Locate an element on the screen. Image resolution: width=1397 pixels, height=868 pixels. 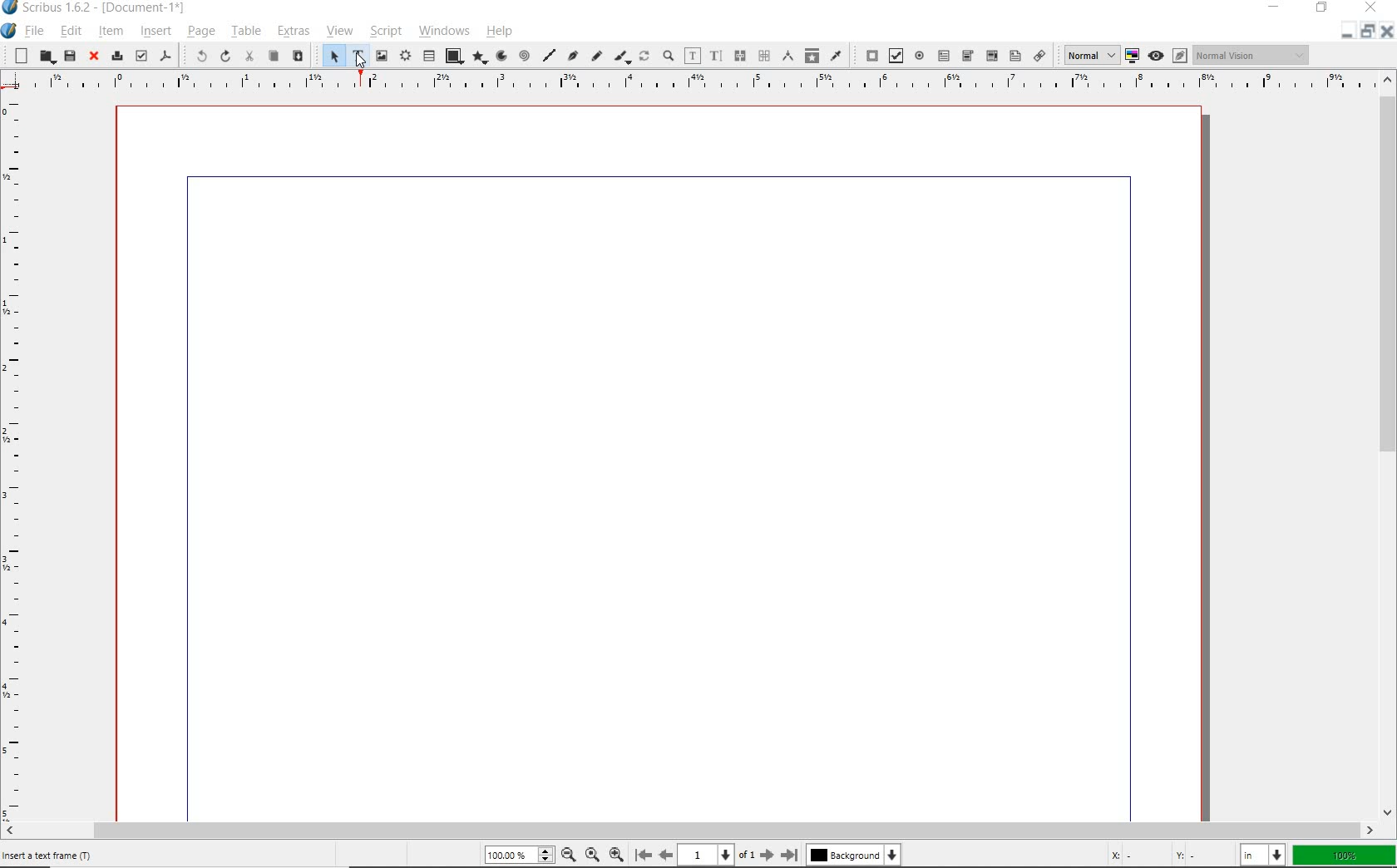
preflight verifier is located at coordinates (141, 55).